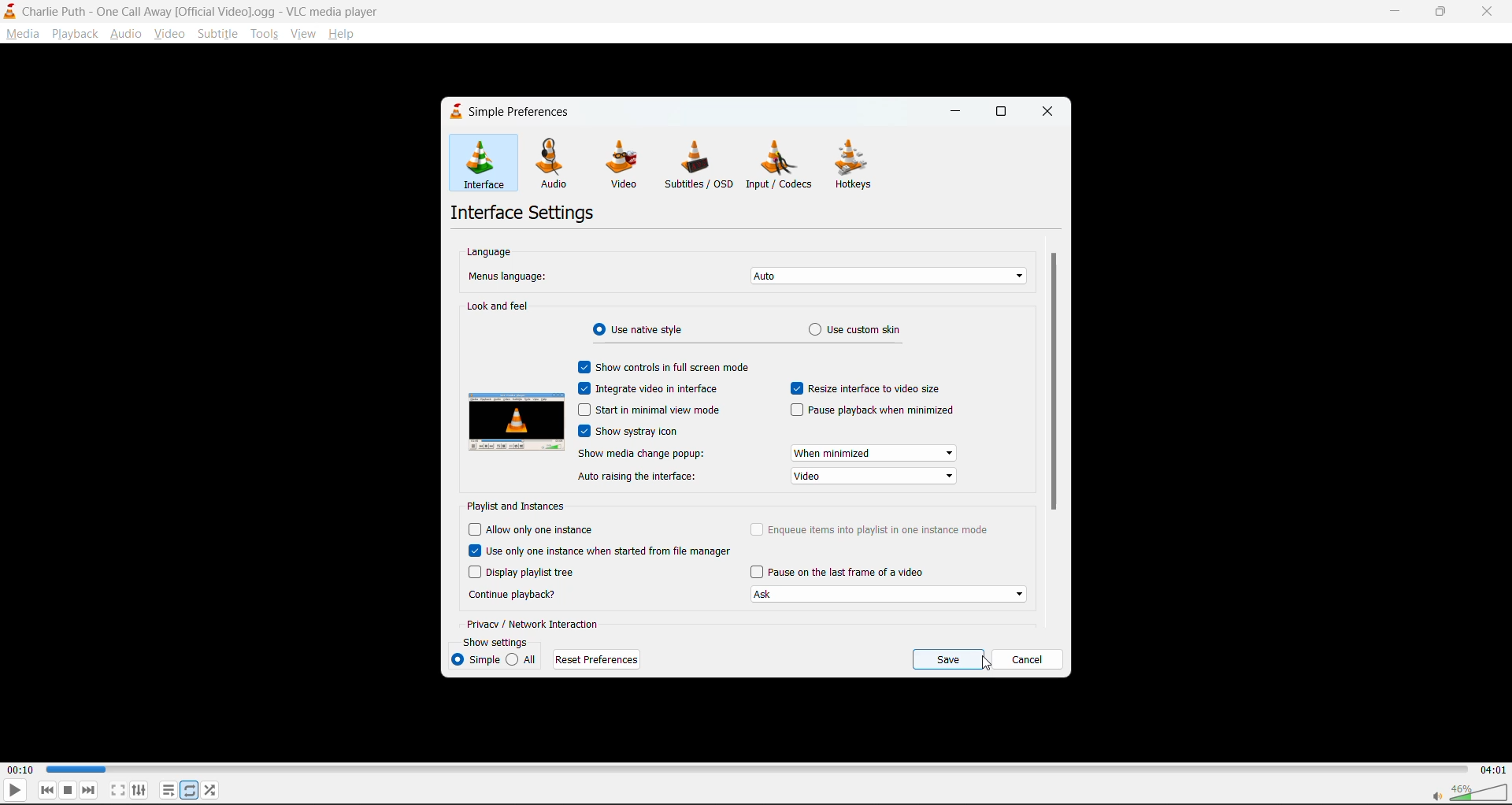 This screenshot has height=805, width=1512. I want to click on display playlist tree, so click(532, 573).